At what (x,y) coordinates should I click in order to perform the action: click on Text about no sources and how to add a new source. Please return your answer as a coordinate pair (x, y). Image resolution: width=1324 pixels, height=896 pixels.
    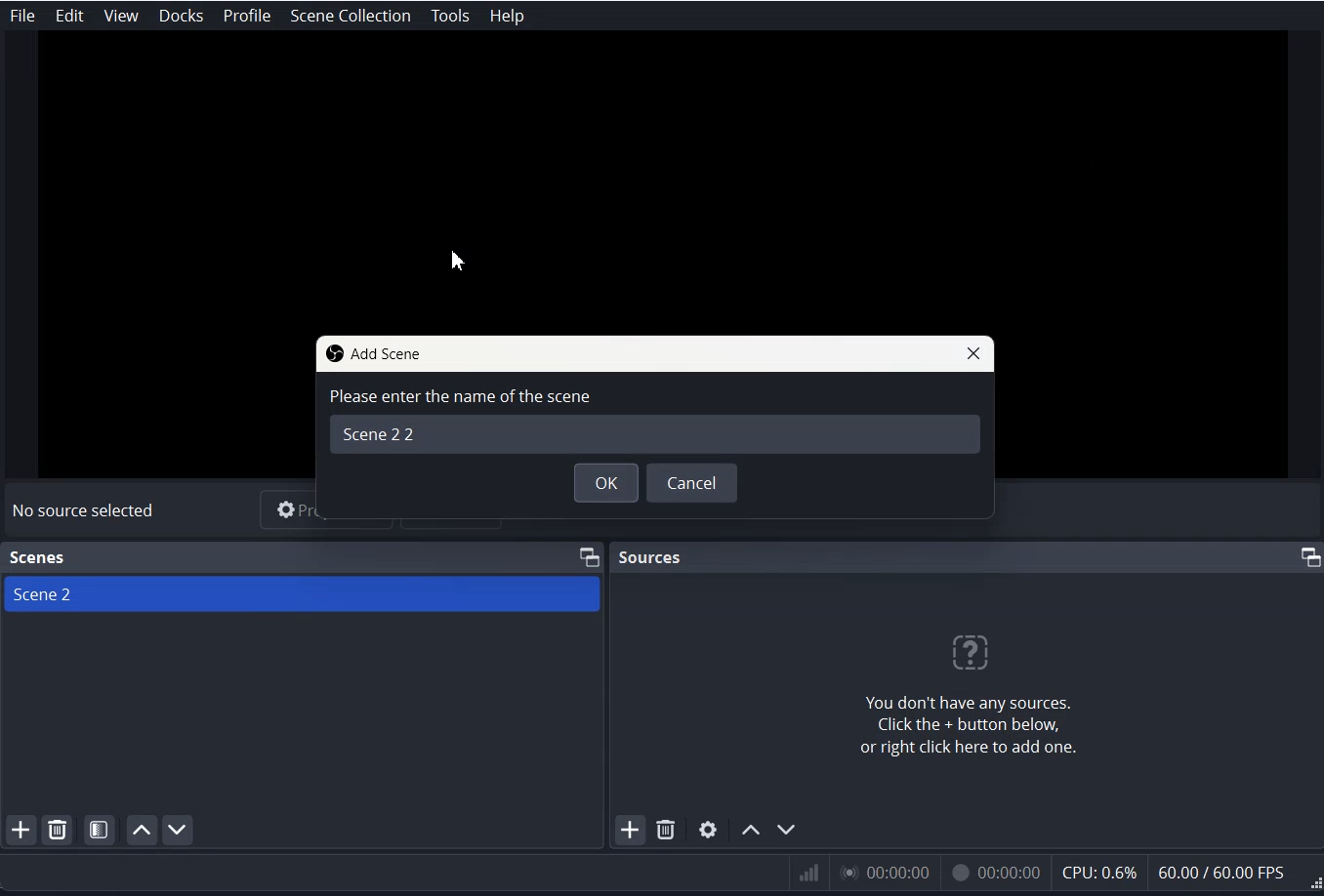
    Looking at the image, I should click on (940, 694).